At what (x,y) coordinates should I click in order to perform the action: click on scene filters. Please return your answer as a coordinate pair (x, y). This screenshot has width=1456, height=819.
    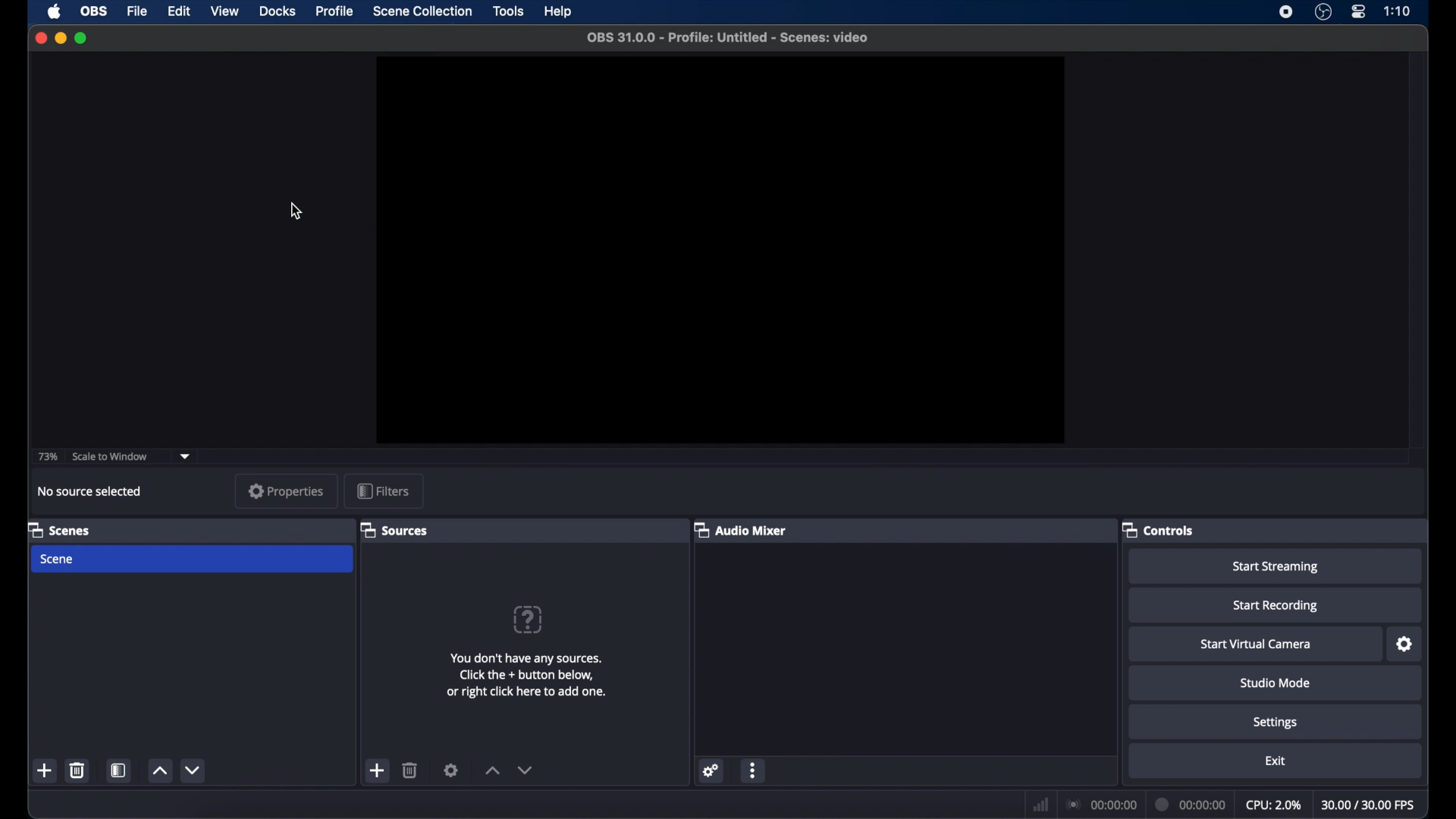
    Looking at the image, I should click on (118, 770).